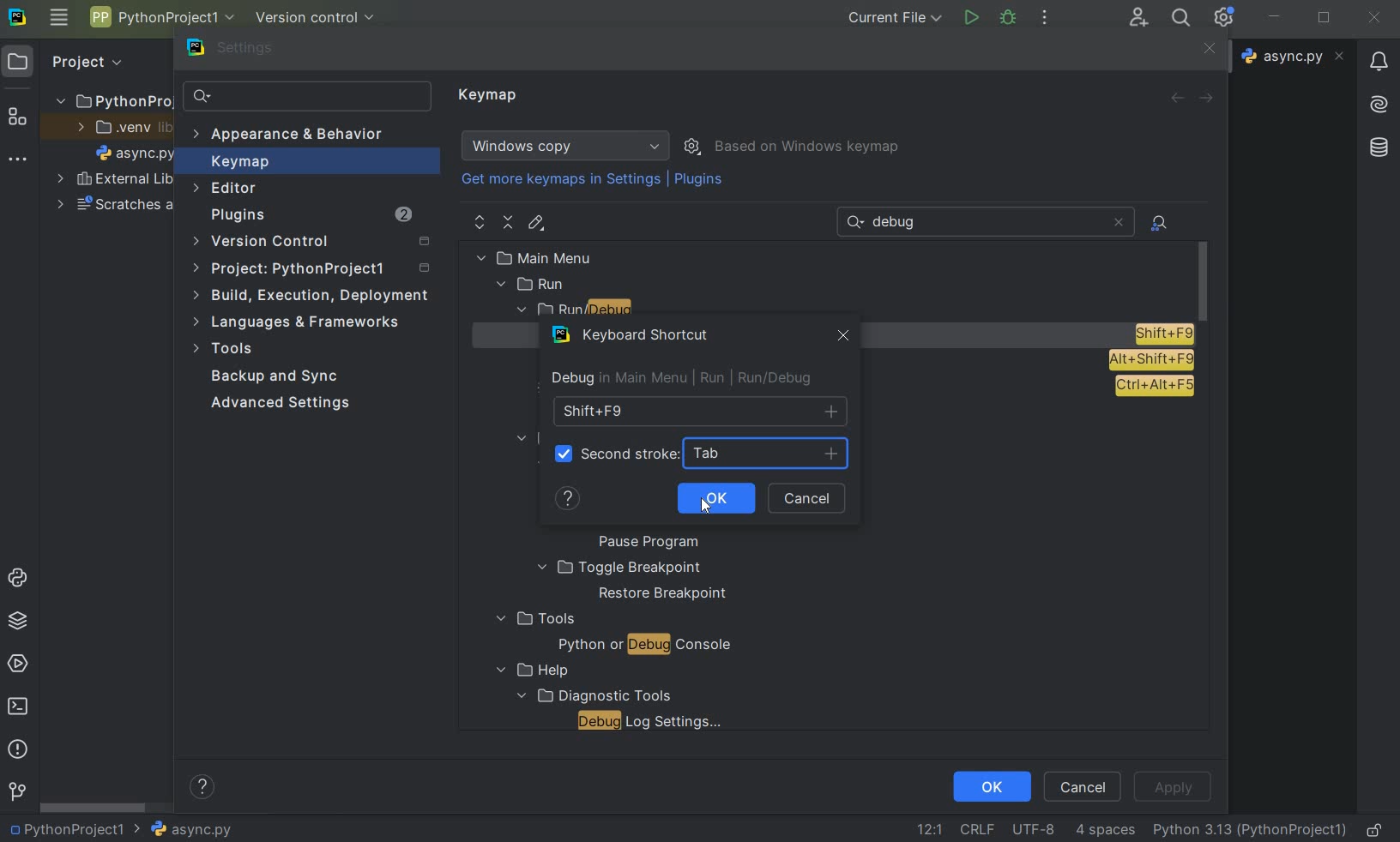  Describe the element at coordinates (312, 295) in the screenshot. I see `build, execution, deployment` at that location.